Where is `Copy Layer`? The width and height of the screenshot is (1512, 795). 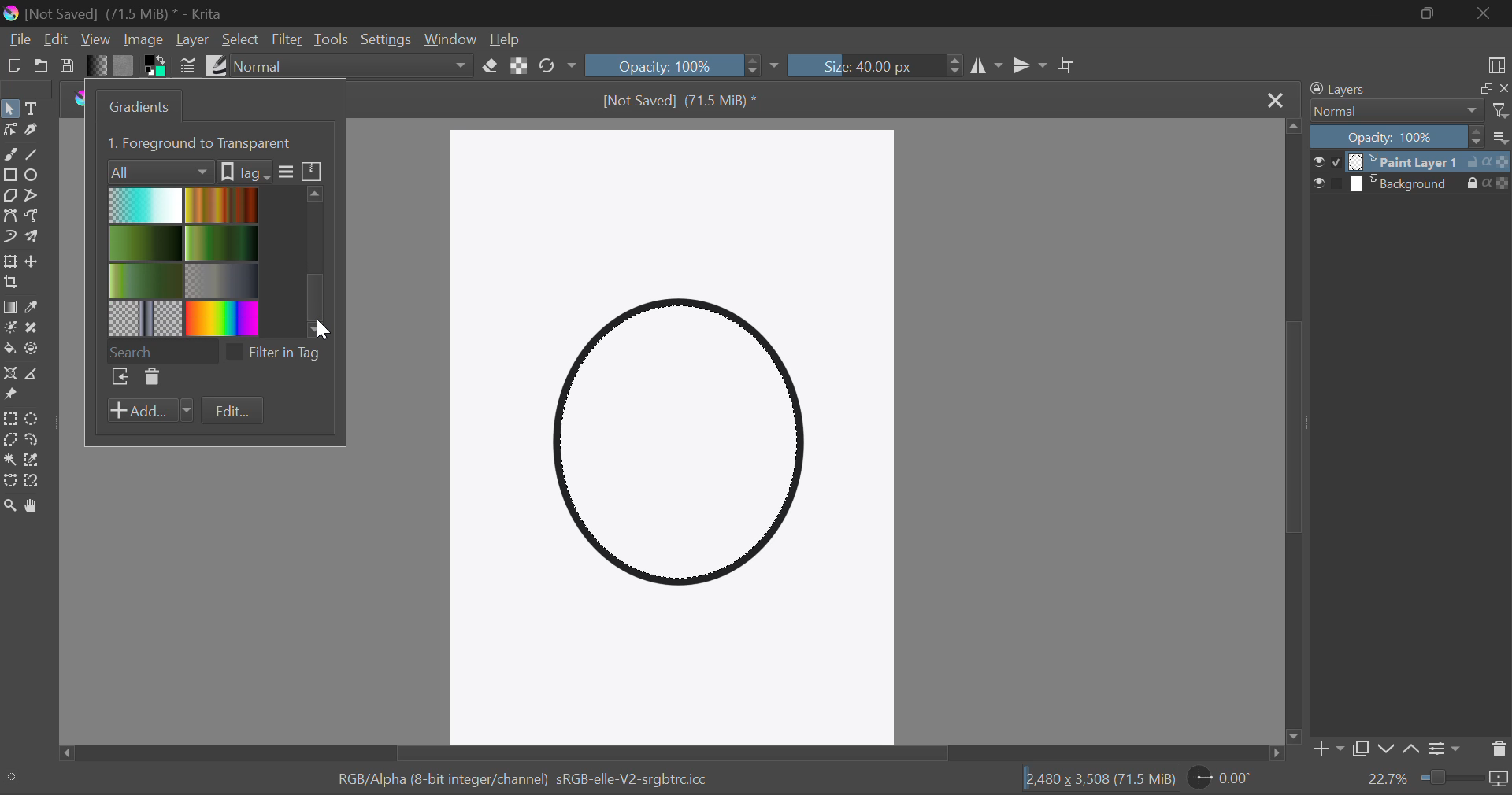
Copy Layer is located at coordinates (1362, 749).